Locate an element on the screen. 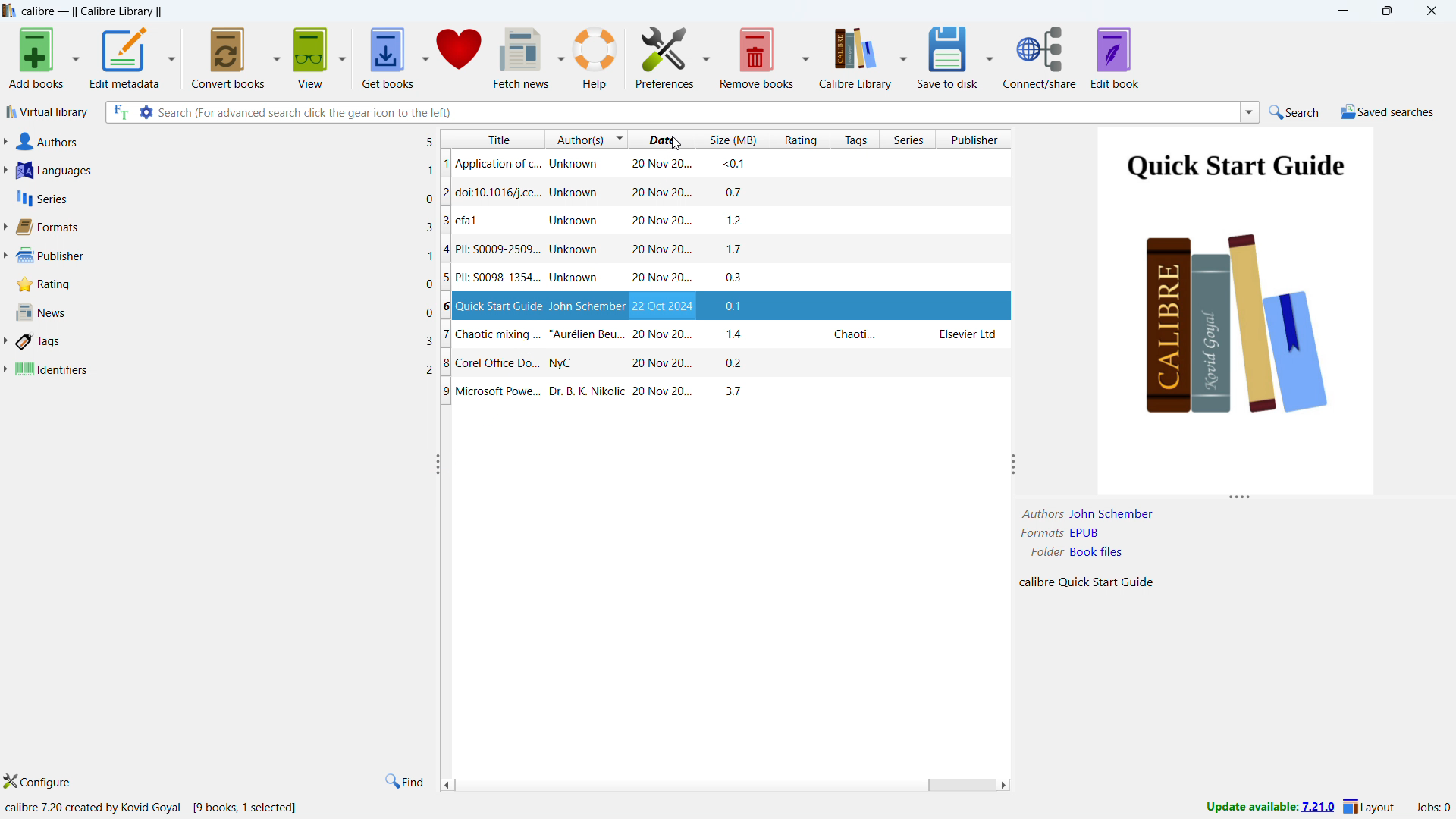 The image size is (1456, 819). Elsevier Ltd is located at coordinates (969, 334).